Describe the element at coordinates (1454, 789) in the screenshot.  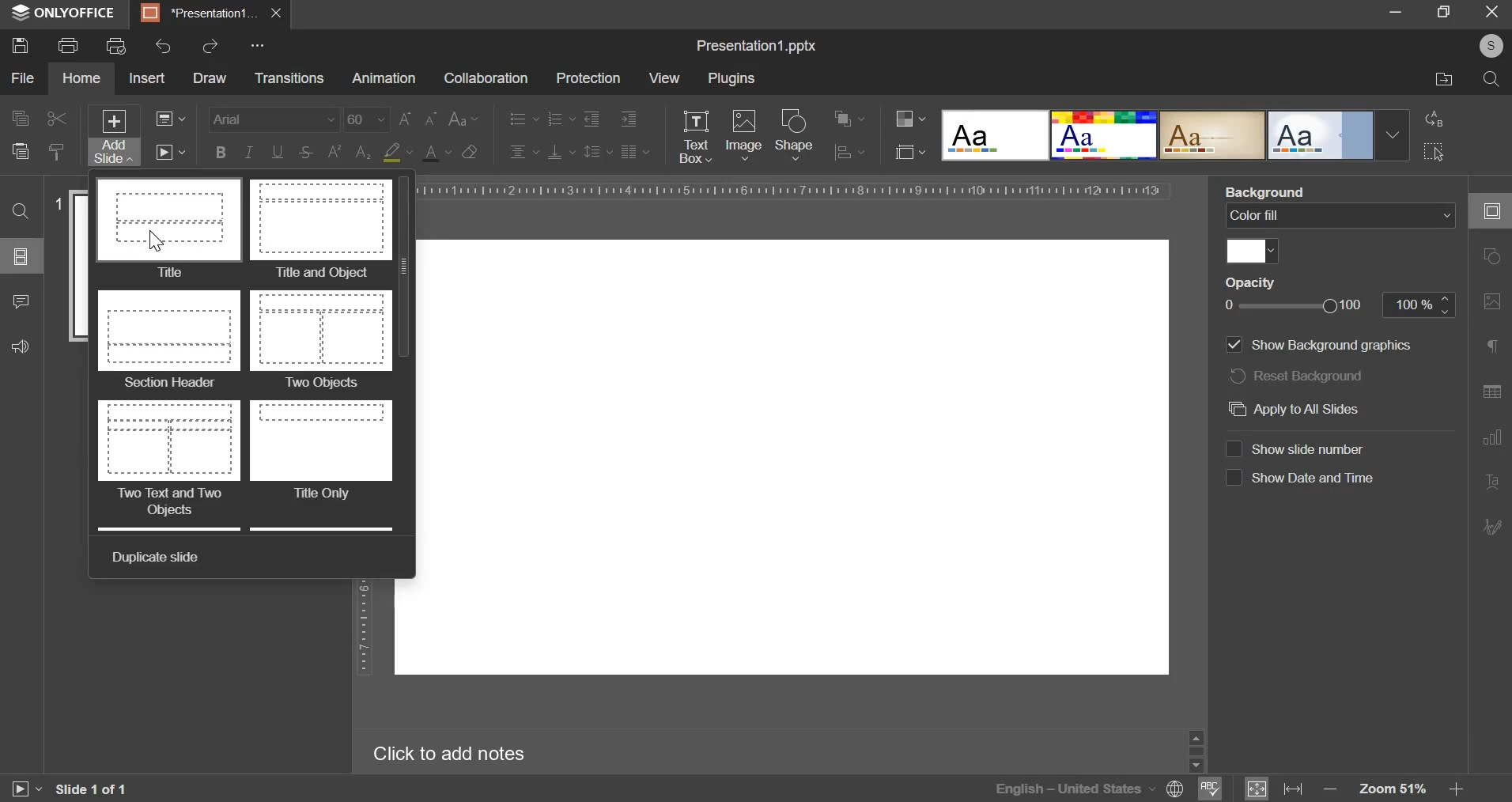
I see `zoom in` at that location.